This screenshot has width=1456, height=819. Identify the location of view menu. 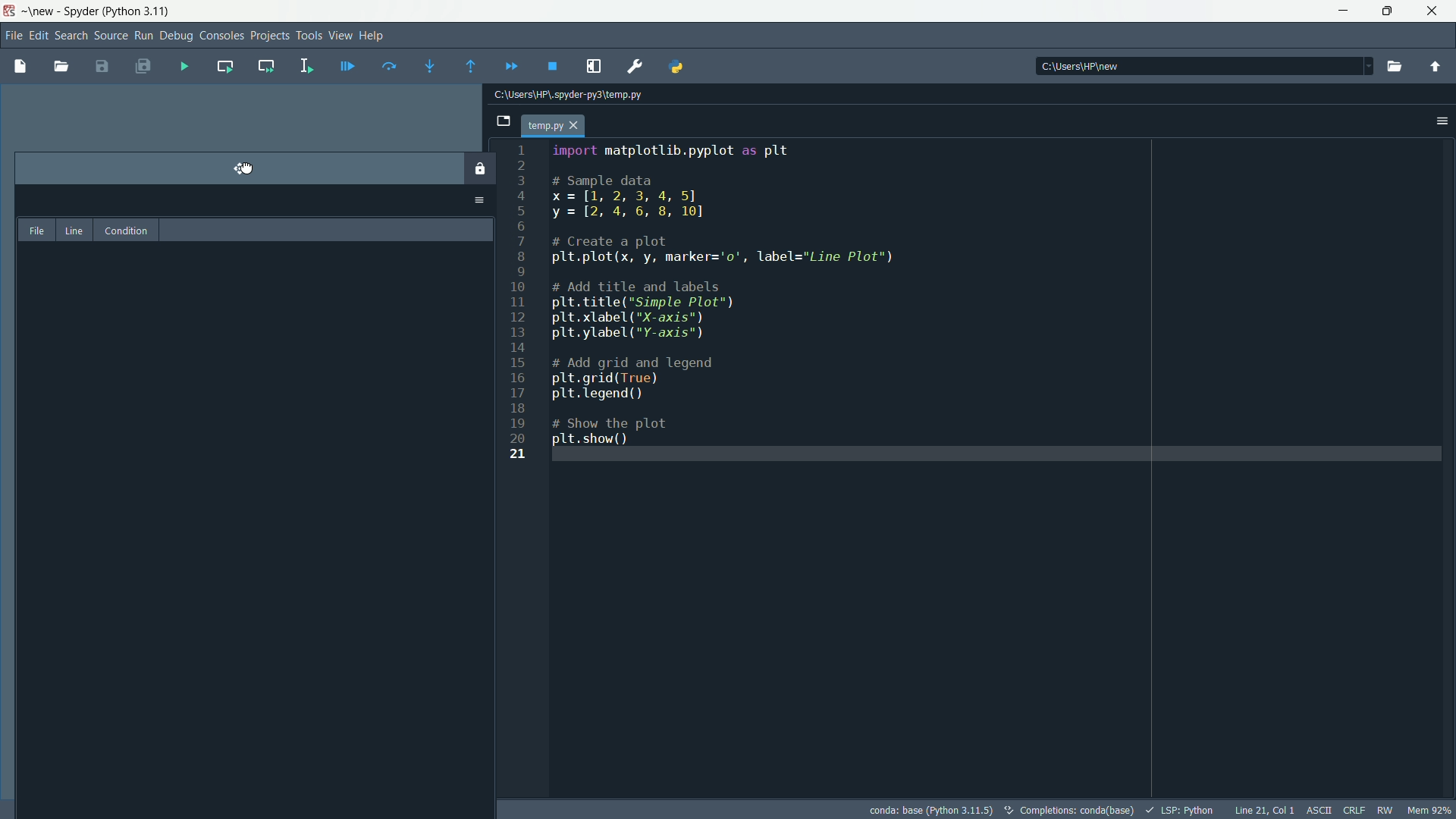
(340, 35).